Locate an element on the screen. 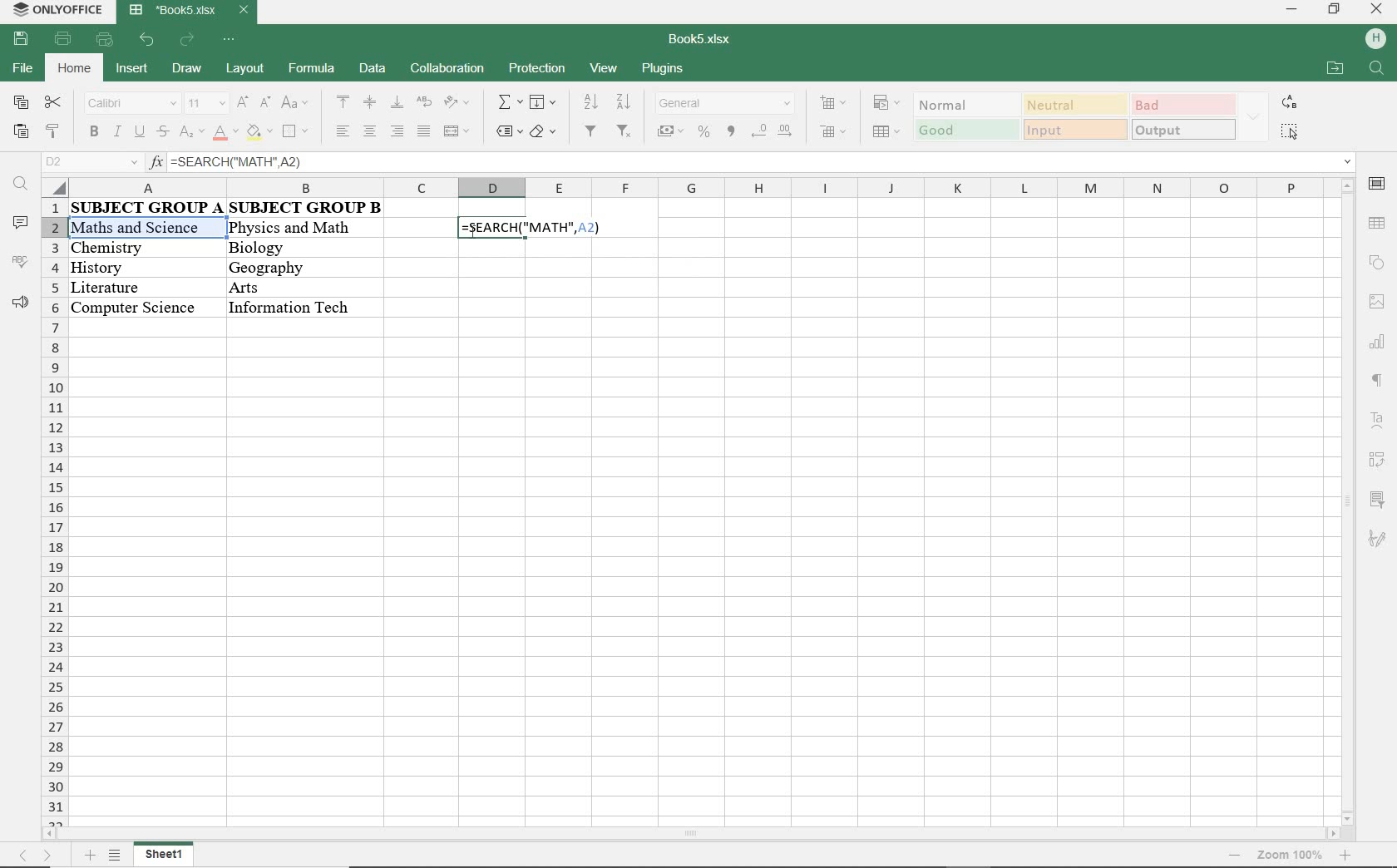 This screenshot has height=868, width=1397. insert cells is located at coordinates (832, 104).